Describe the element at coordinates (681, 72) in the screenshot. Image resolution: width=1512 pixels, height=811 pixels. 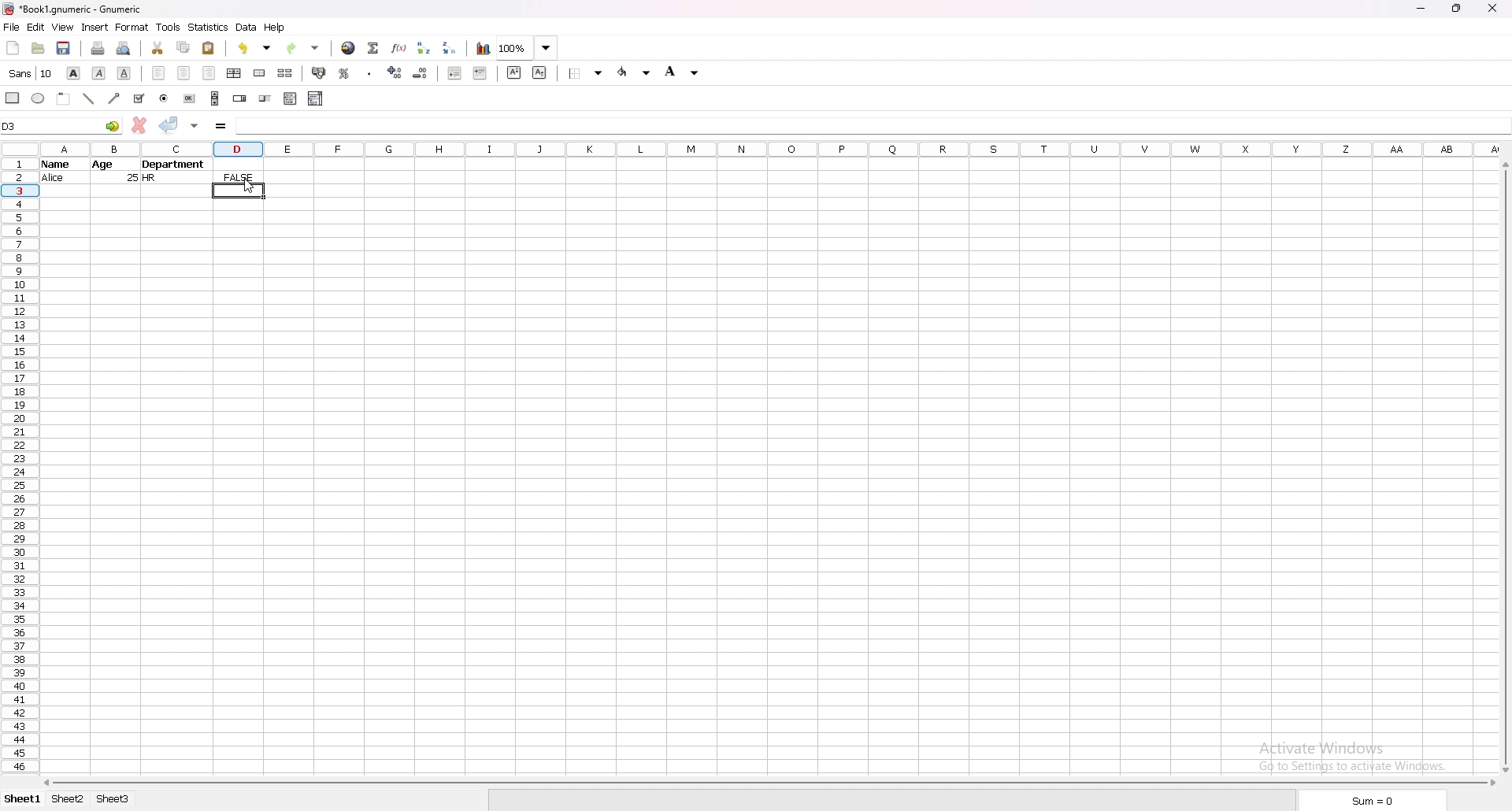
I see `background` at that location.